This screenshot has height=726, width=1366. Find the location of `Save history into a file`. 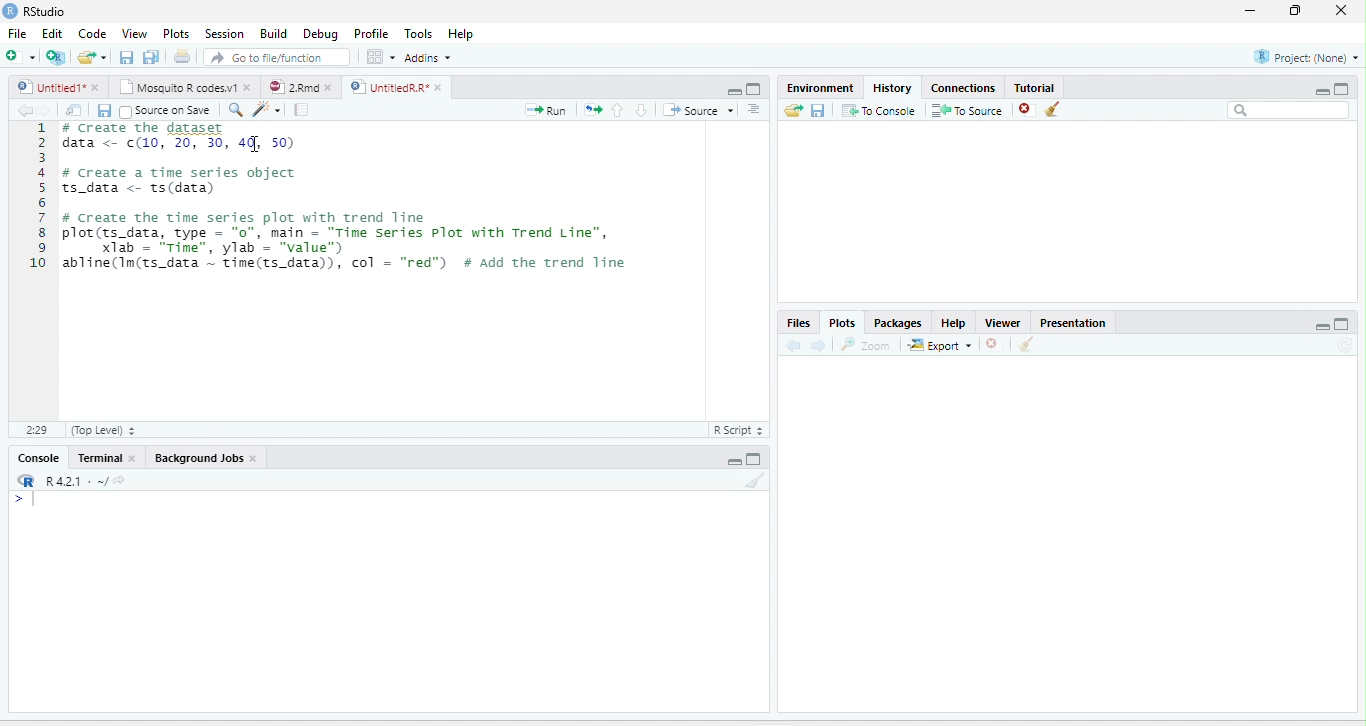

Save history into a file is located at coordinates (818, 110).